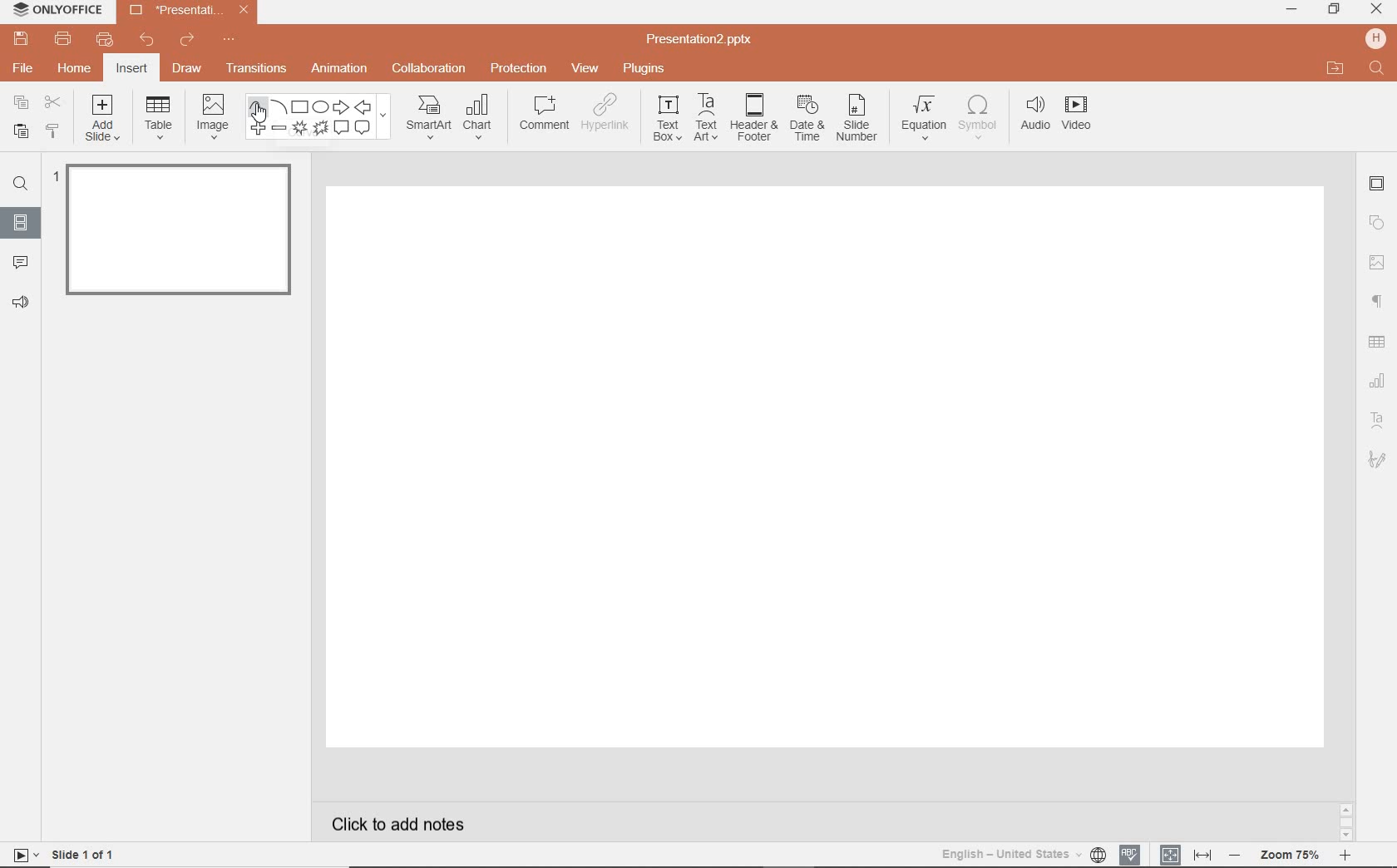 This screenshot has height=868, width=1397. I want to click on CHART SETTINGS, so click(1380, 379).